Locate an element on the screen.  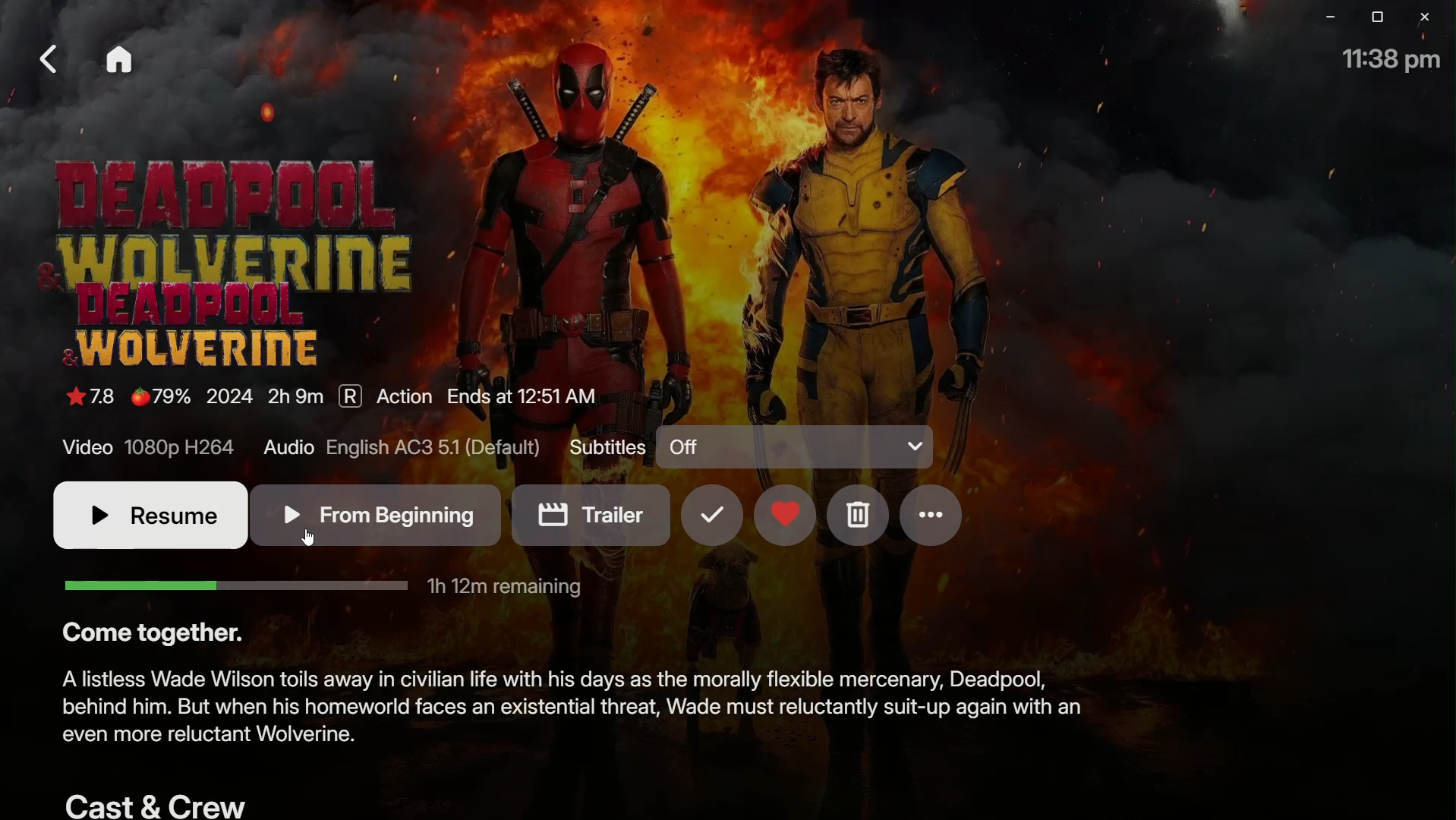
Restore is located at coordinates (1371, 17).